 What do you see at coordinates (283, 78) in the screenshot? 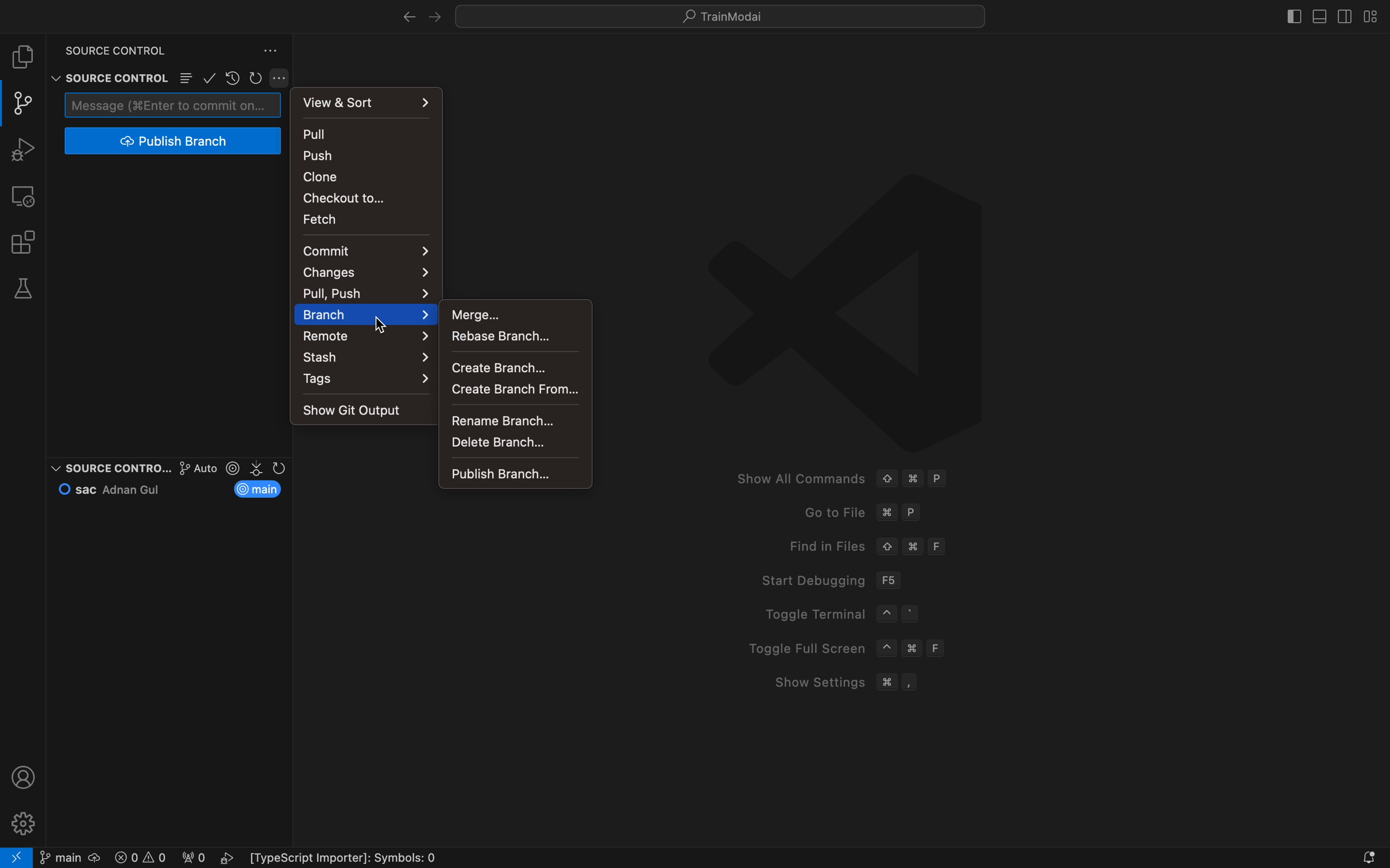
I see `` at bounding box center [283, 78].